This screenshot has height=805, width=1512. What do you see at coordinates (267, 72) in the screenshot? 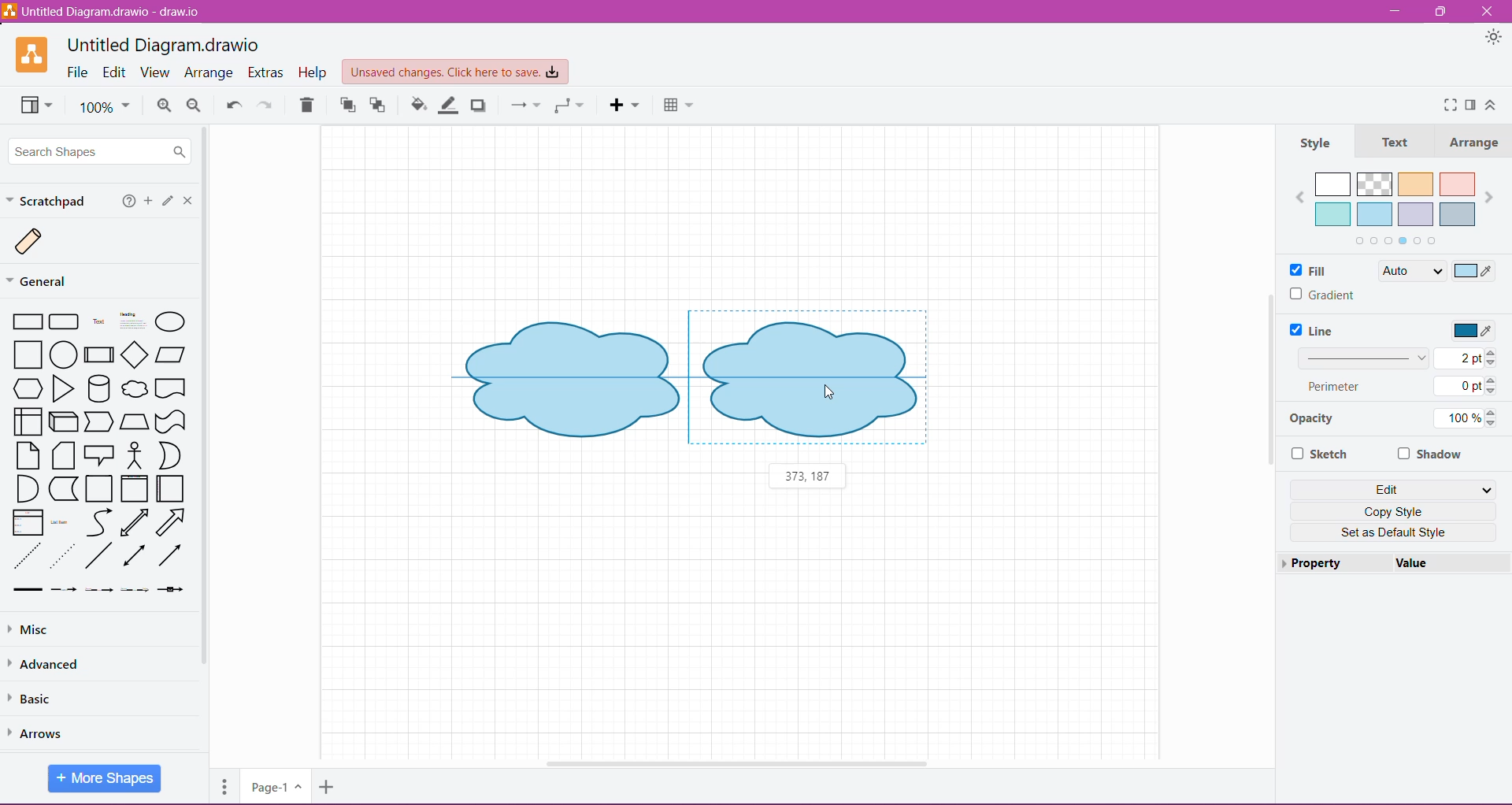
I see `Extras` at bounding box center [267, 72].